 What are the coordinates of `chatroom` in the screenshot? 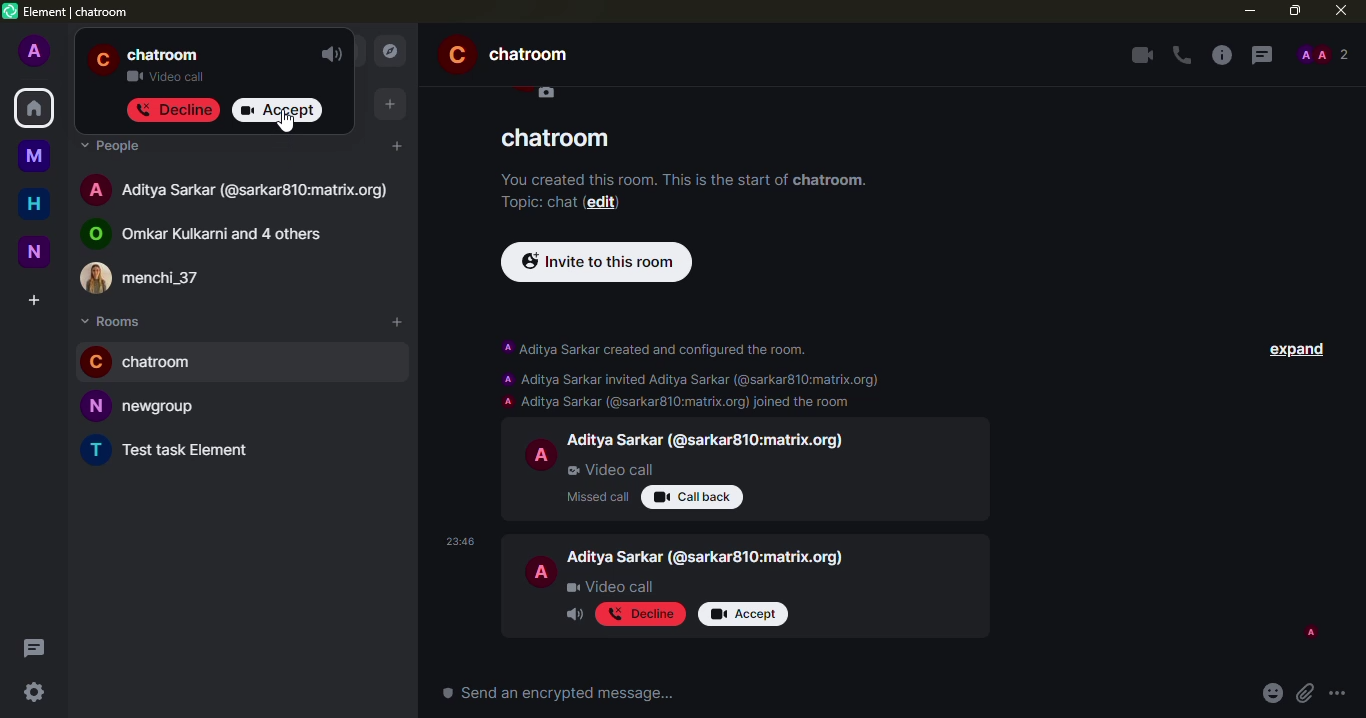 It's located at (165, 55).